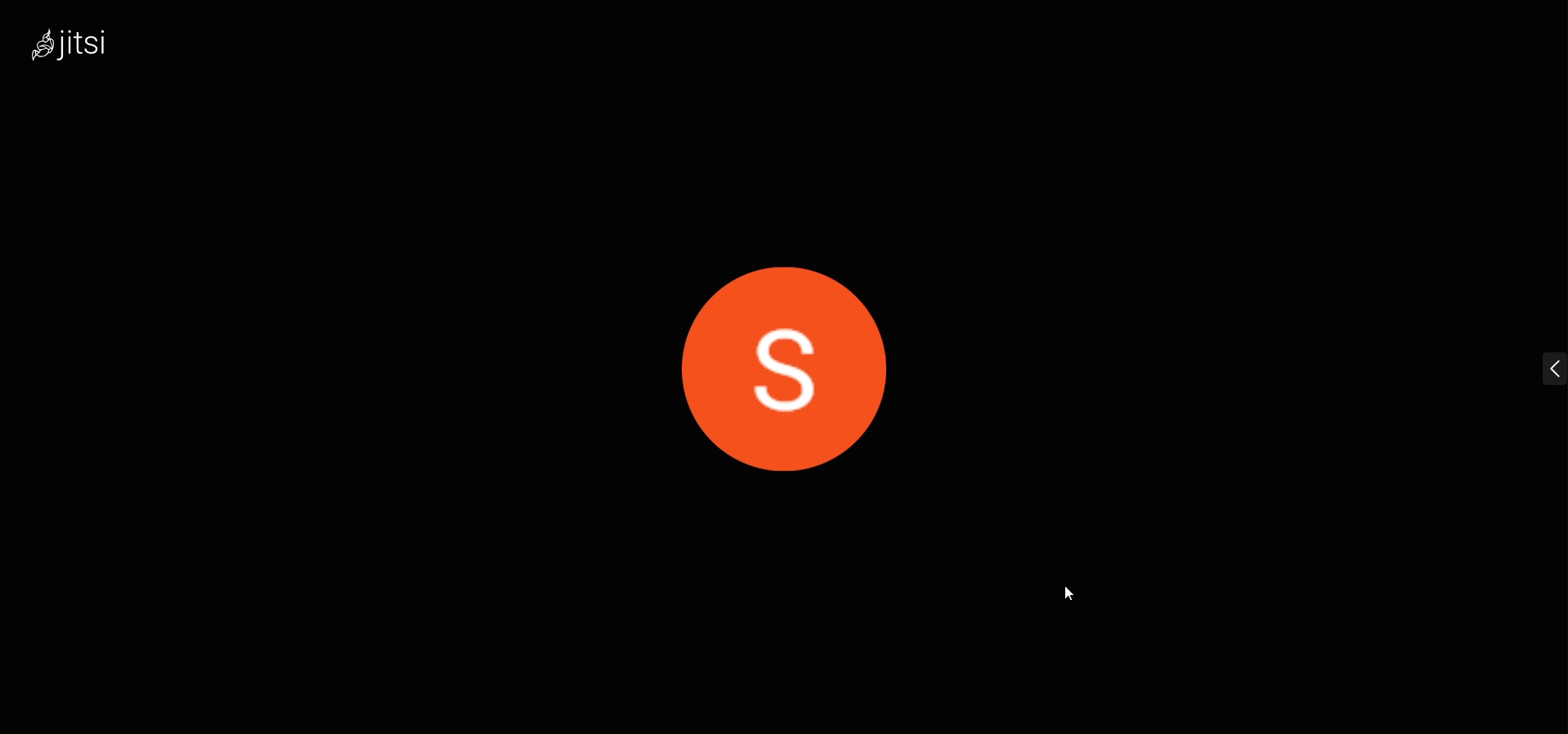 This screenshot has width=1568, height=734. What do you see at coordinates (1065, 594) in the screenshot?
I see `cursor` at bounding box center [1065, 594].